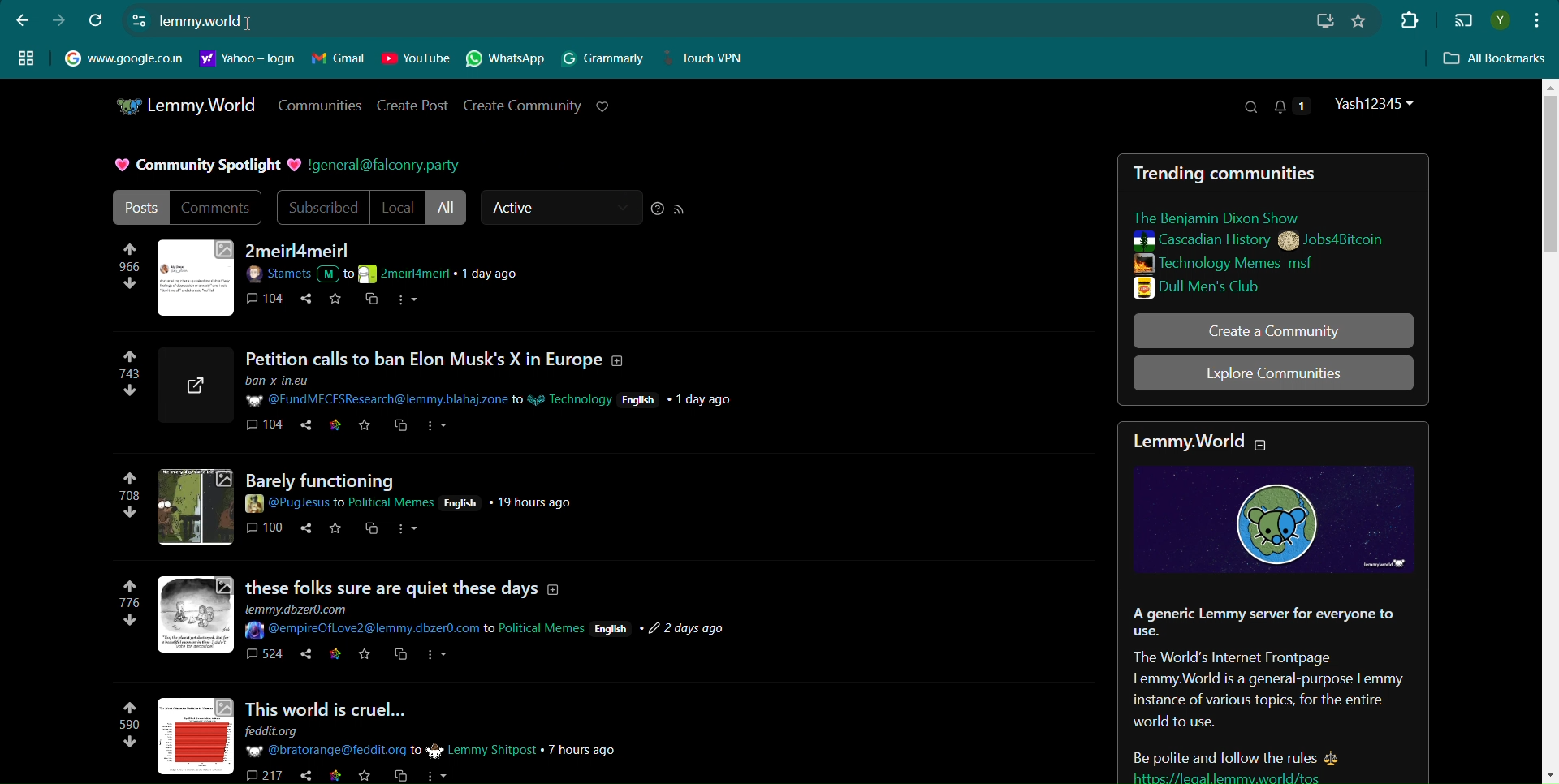 The width and height of the screenshot is (1559, 784). What do you see at coordinates (139, 19) in the screenshot?
I see `view site information` at bounding box center [139, 19].